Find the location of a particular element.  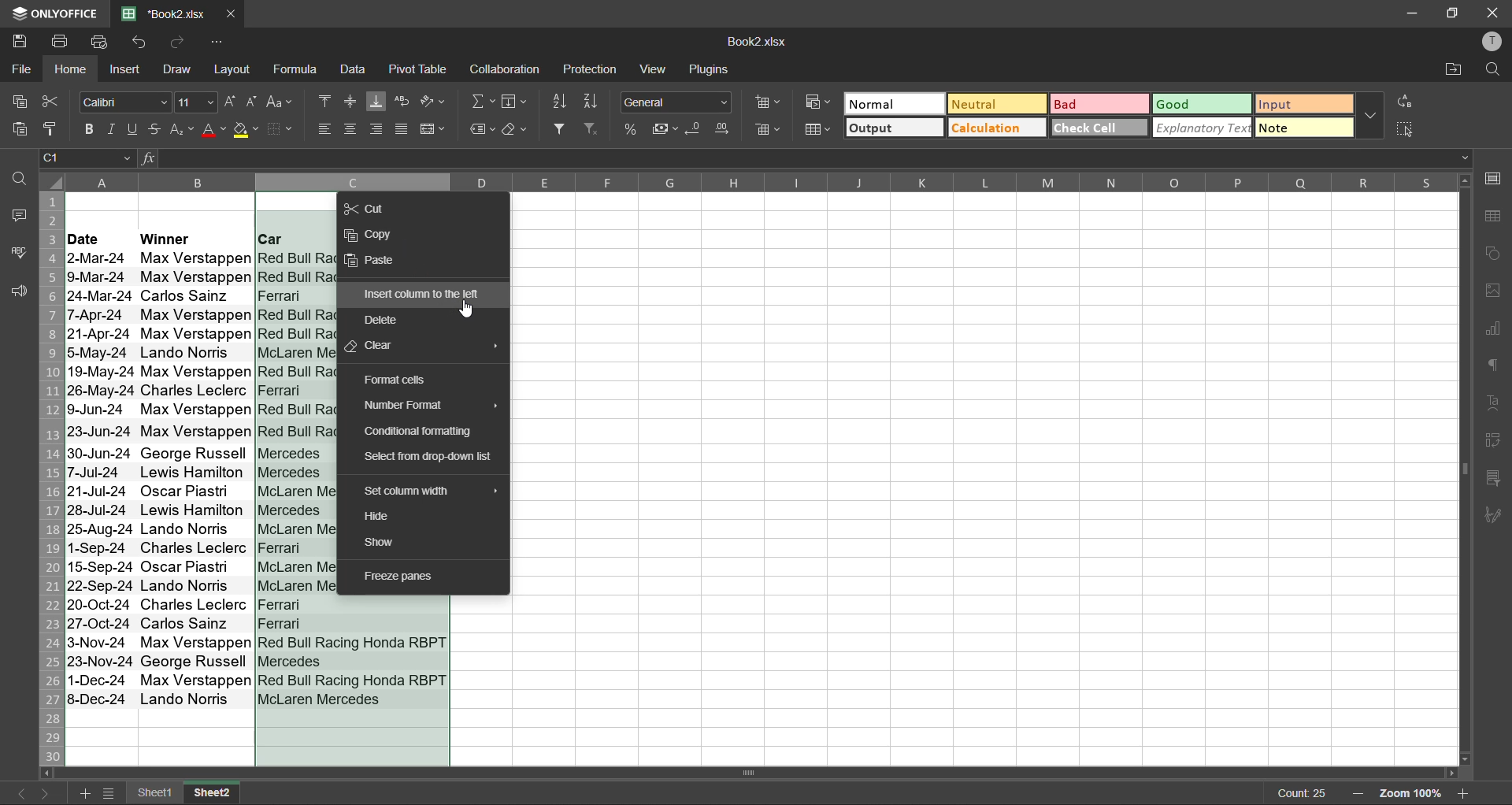

Book2.xlsx is located at coordinates (758, 43).